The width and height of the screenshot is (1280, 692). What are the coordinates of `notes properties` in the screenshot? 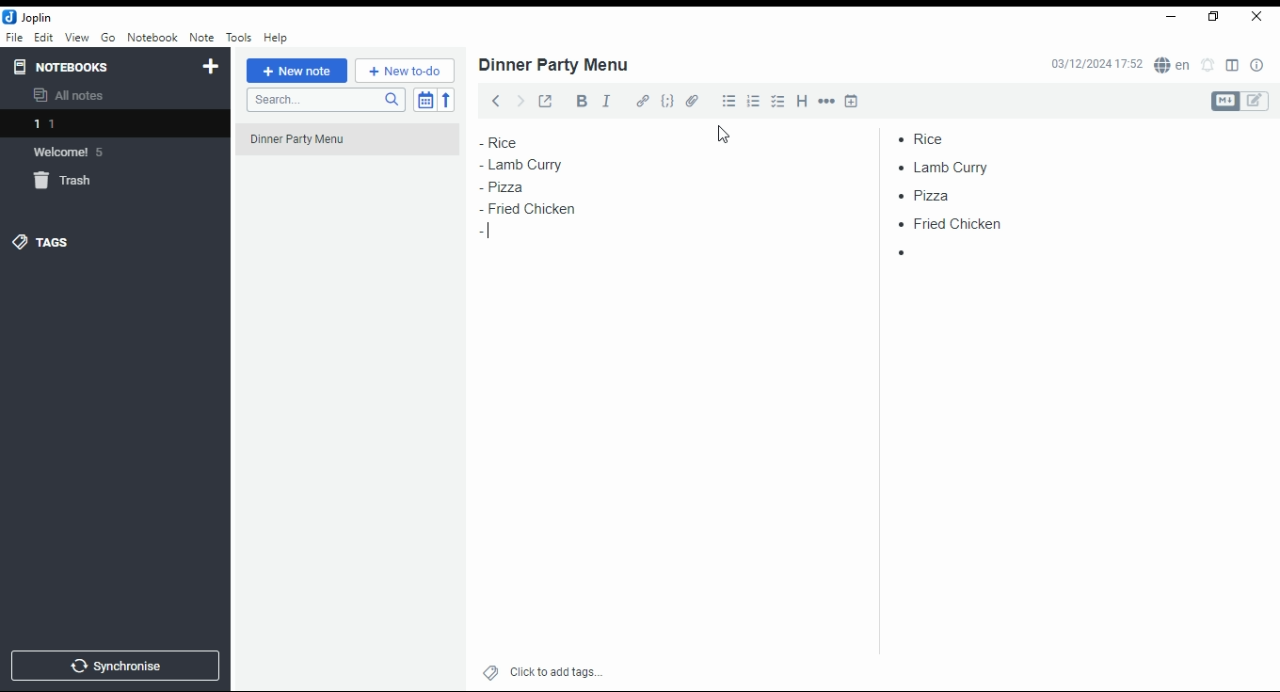 It's located at (1258, 65).